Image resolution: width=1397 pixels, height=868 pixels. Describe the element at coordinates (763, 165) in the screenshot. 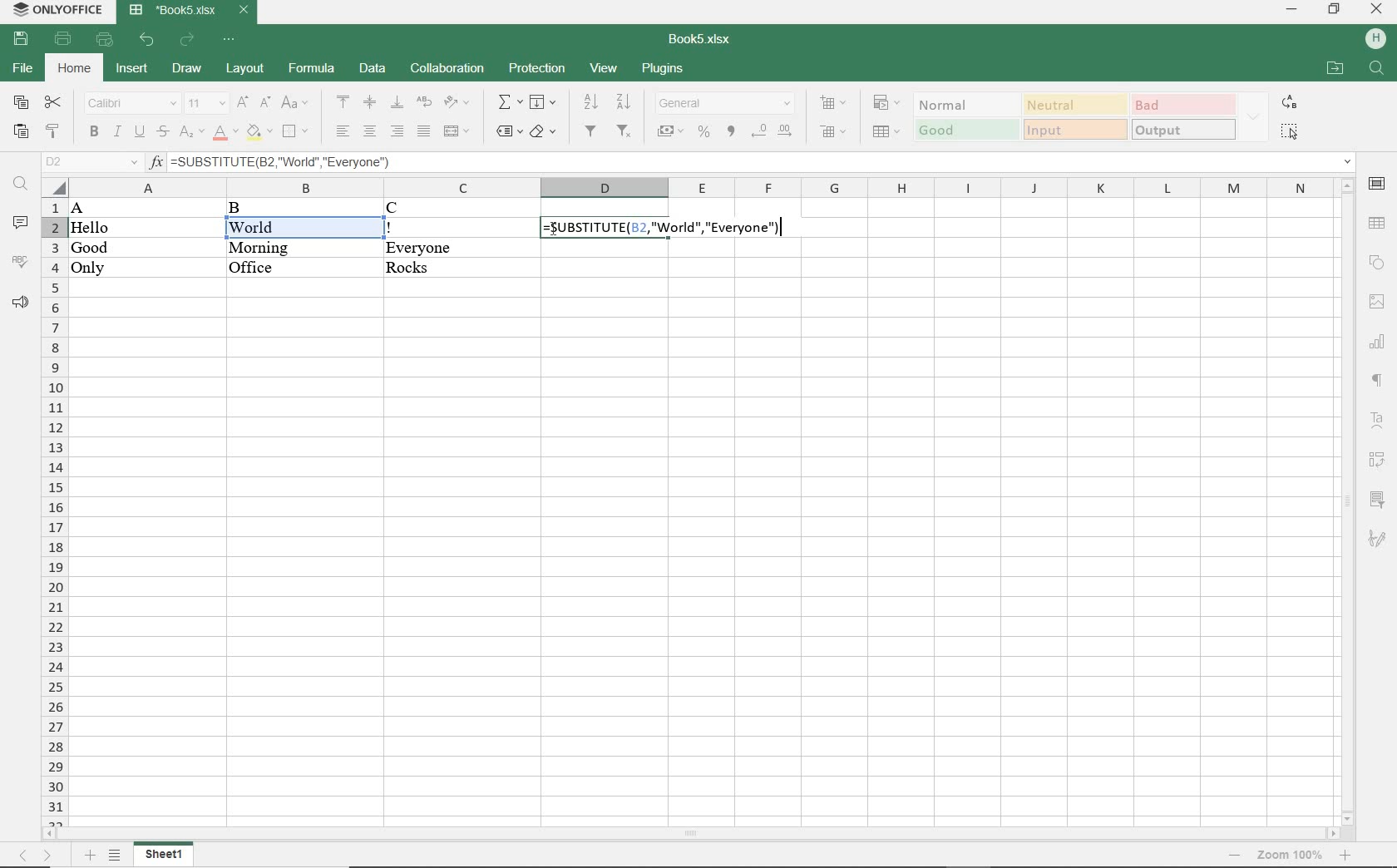

I see `=SUBSTITUTE(B2, "World", "Everyone")` at that location.